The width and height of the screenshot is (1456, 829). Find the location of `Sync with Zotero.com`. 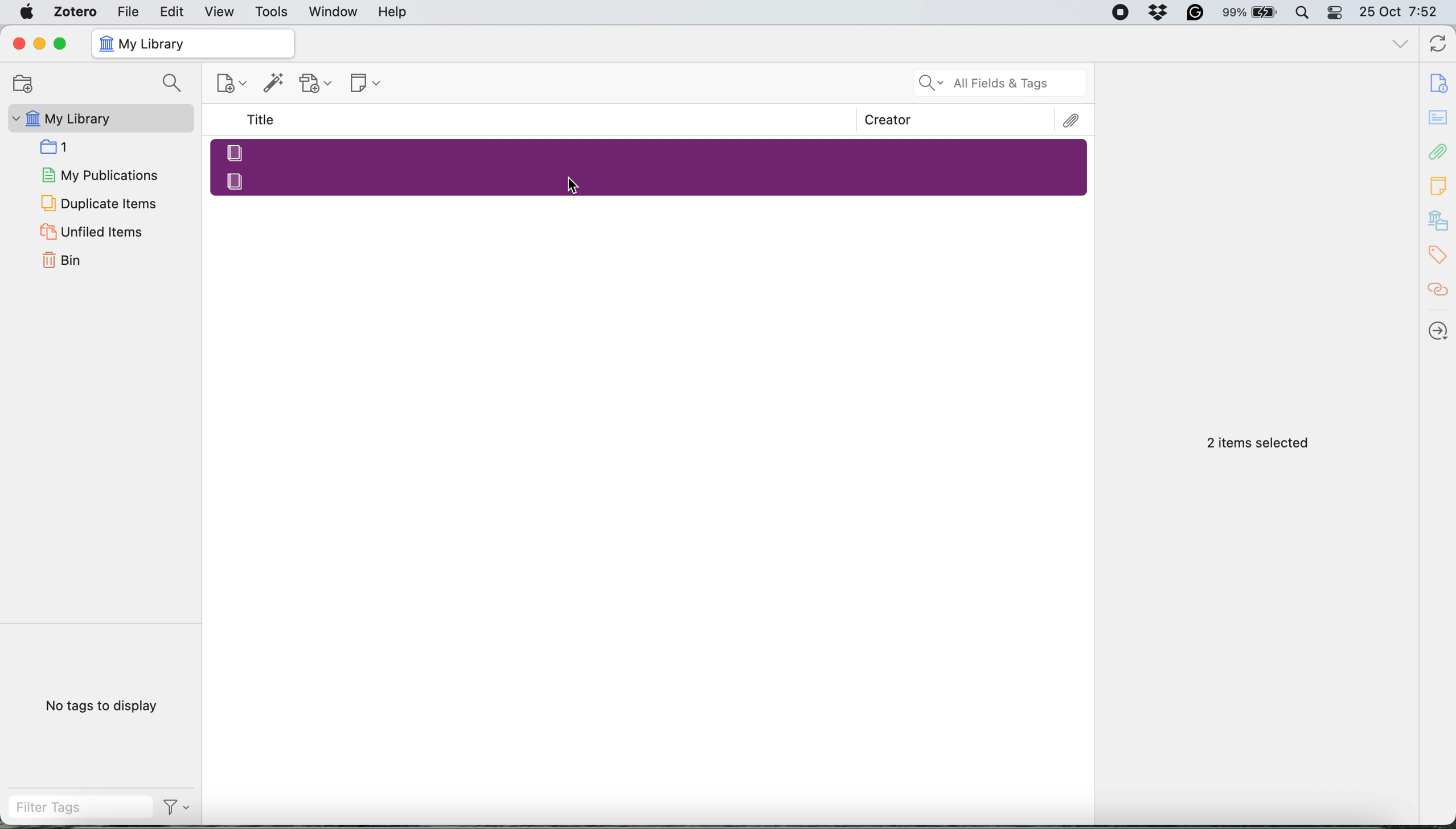

Sync with Zotero.com is located at coordinates (1439, 46).